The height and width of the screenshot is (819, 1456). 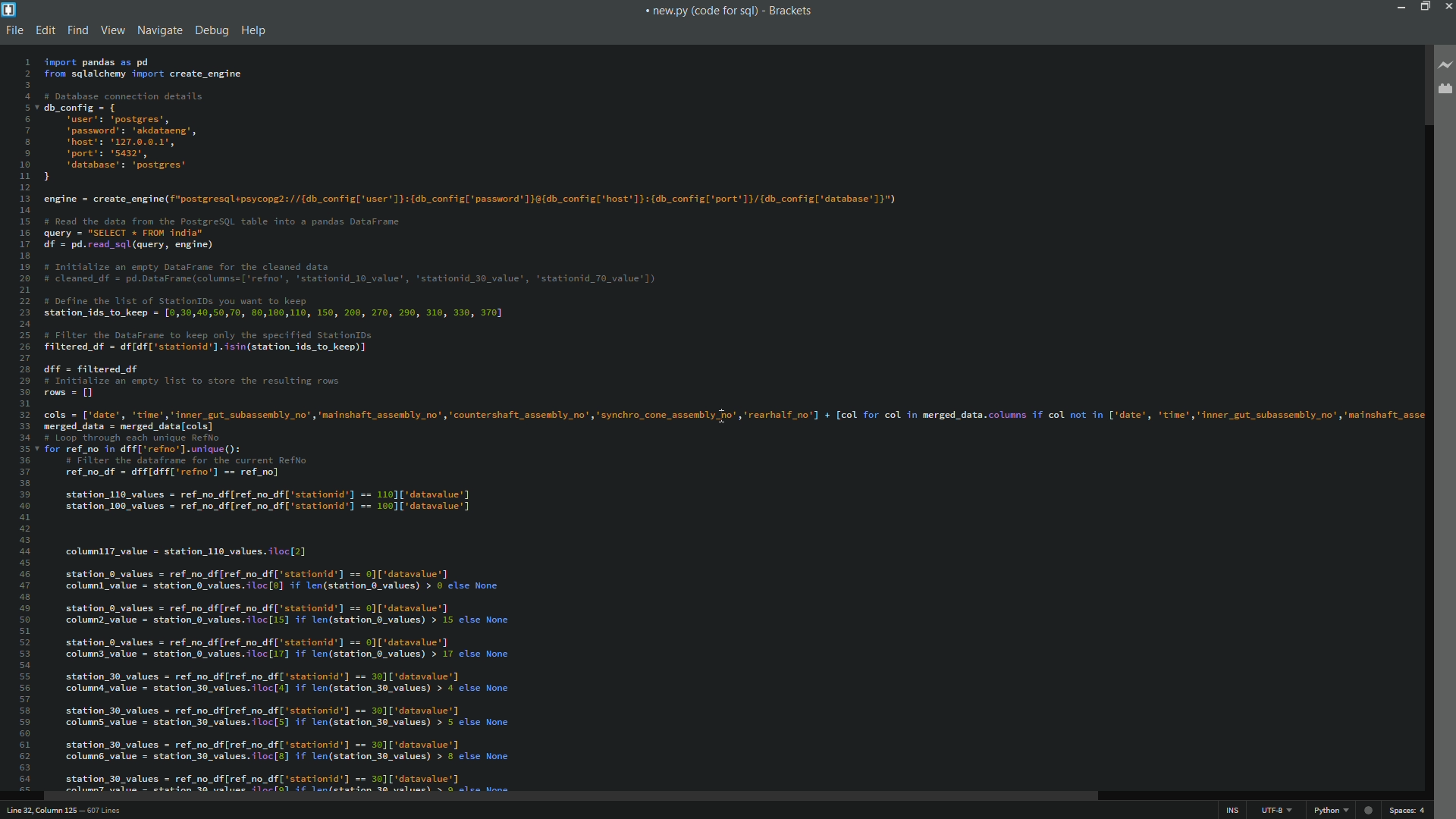 What do you see at coordinates (1398, 6) in the screenshot?
I see `minimize` at bounding box center [1398, 6].